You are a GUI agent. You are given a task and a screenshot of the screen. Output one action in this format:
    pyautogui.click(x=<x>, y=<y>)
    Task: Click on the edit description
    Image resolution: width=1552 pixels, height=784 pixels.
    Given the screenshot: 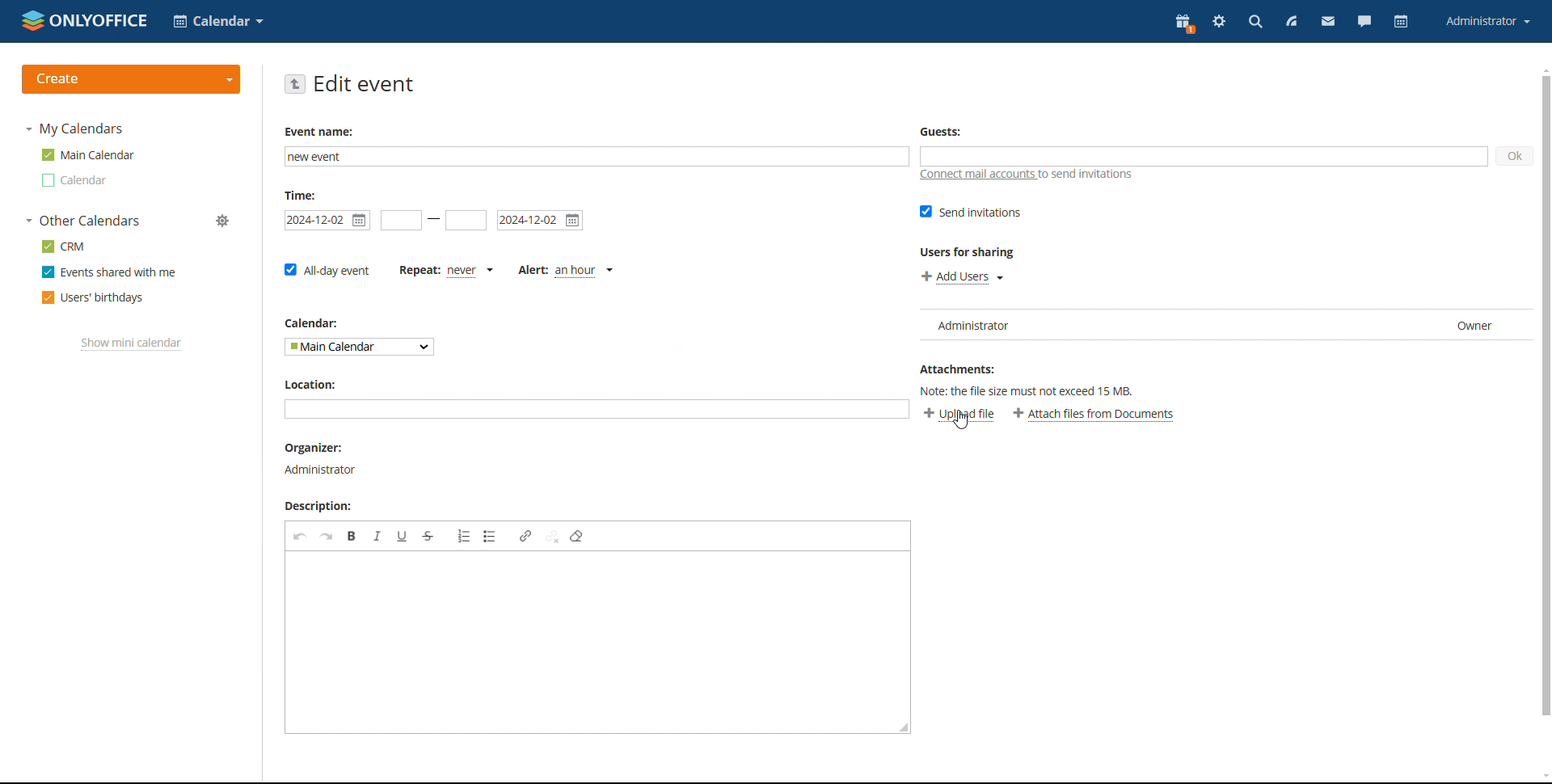 What is the action you would take?
    pyautogui.click(x=589, y=643)
    